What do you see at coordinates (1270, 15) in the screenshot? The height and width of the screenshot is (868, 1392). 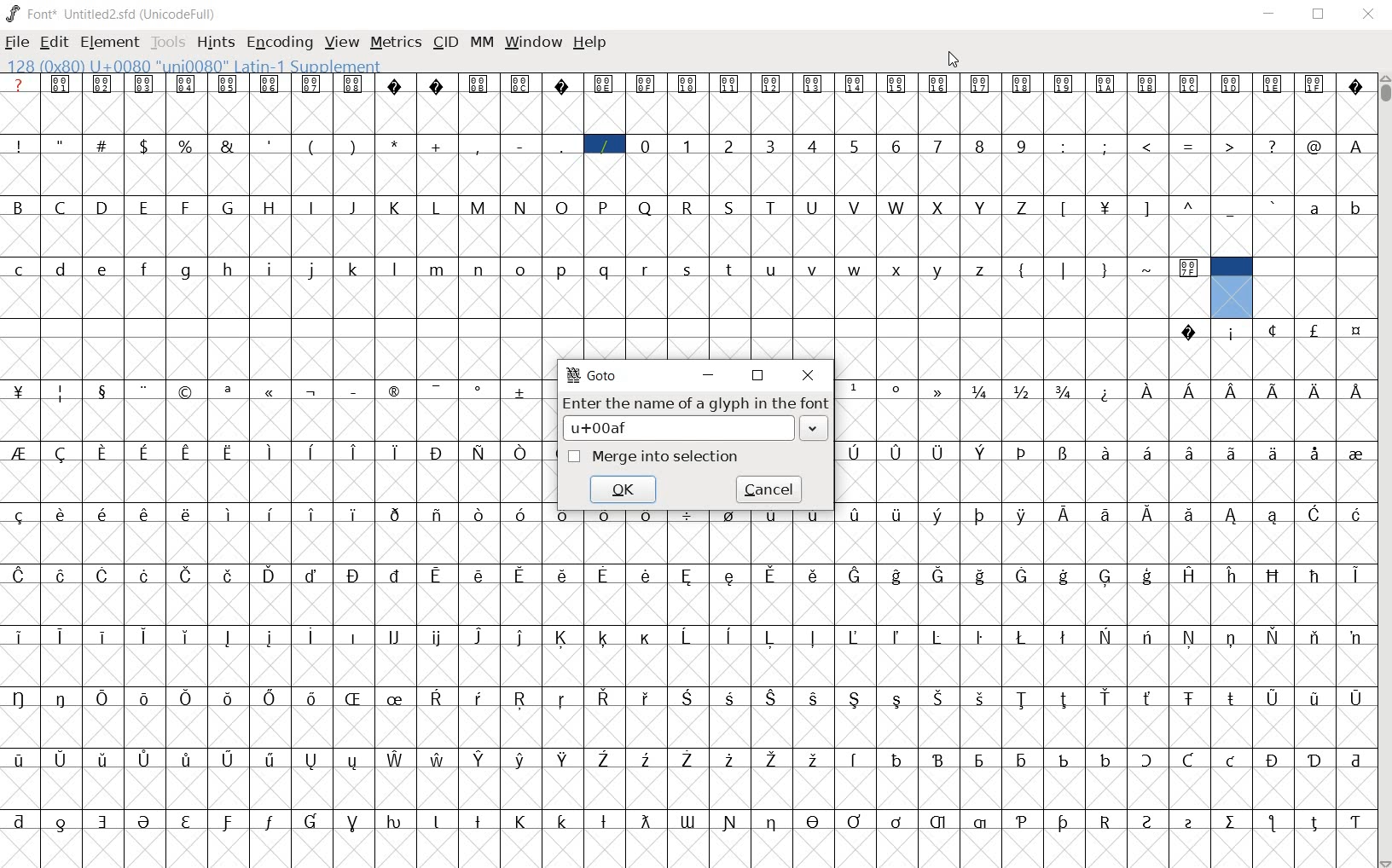 I see `Minimize` at bounding box center [1270, 15].